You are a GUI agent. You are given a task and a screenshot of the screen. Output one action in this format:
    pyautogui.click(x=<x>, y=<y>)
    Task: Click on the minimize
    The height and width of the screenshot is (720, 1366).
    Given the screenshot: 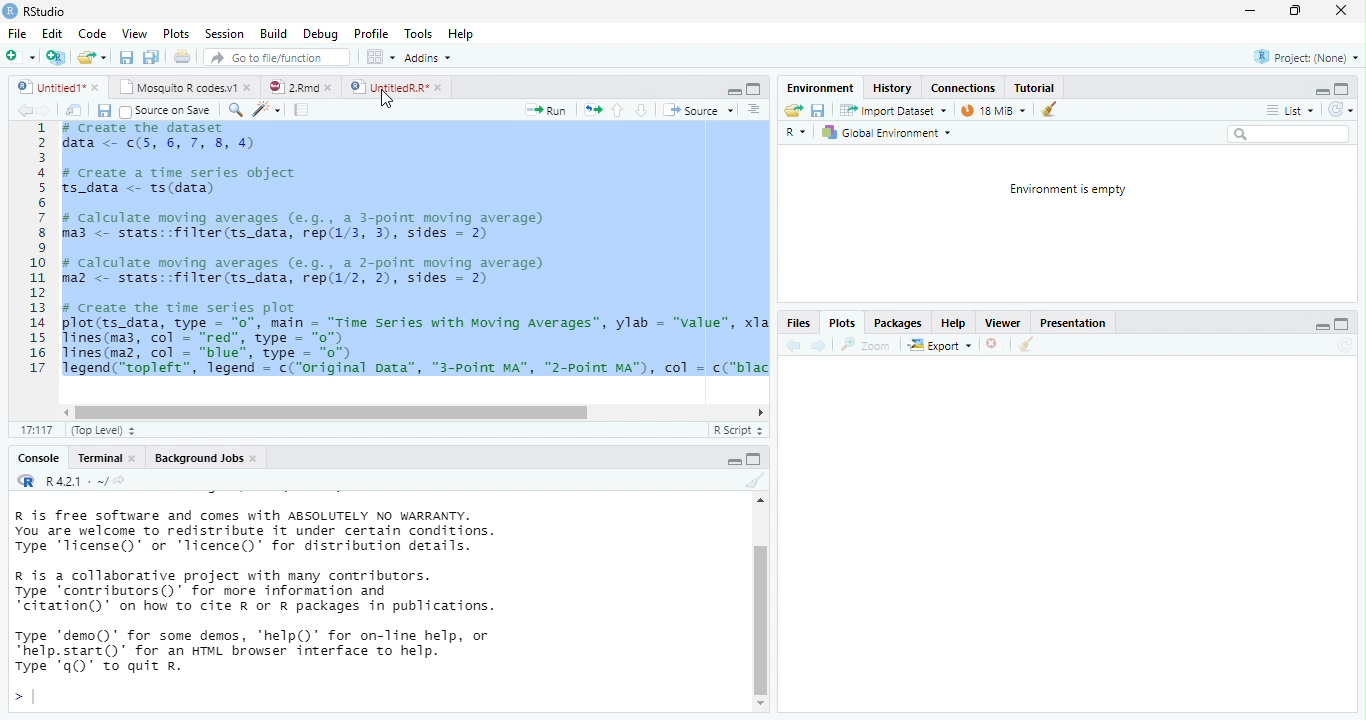 What is the action you would take?
    pyautogui.click(x=734, y=92)
    